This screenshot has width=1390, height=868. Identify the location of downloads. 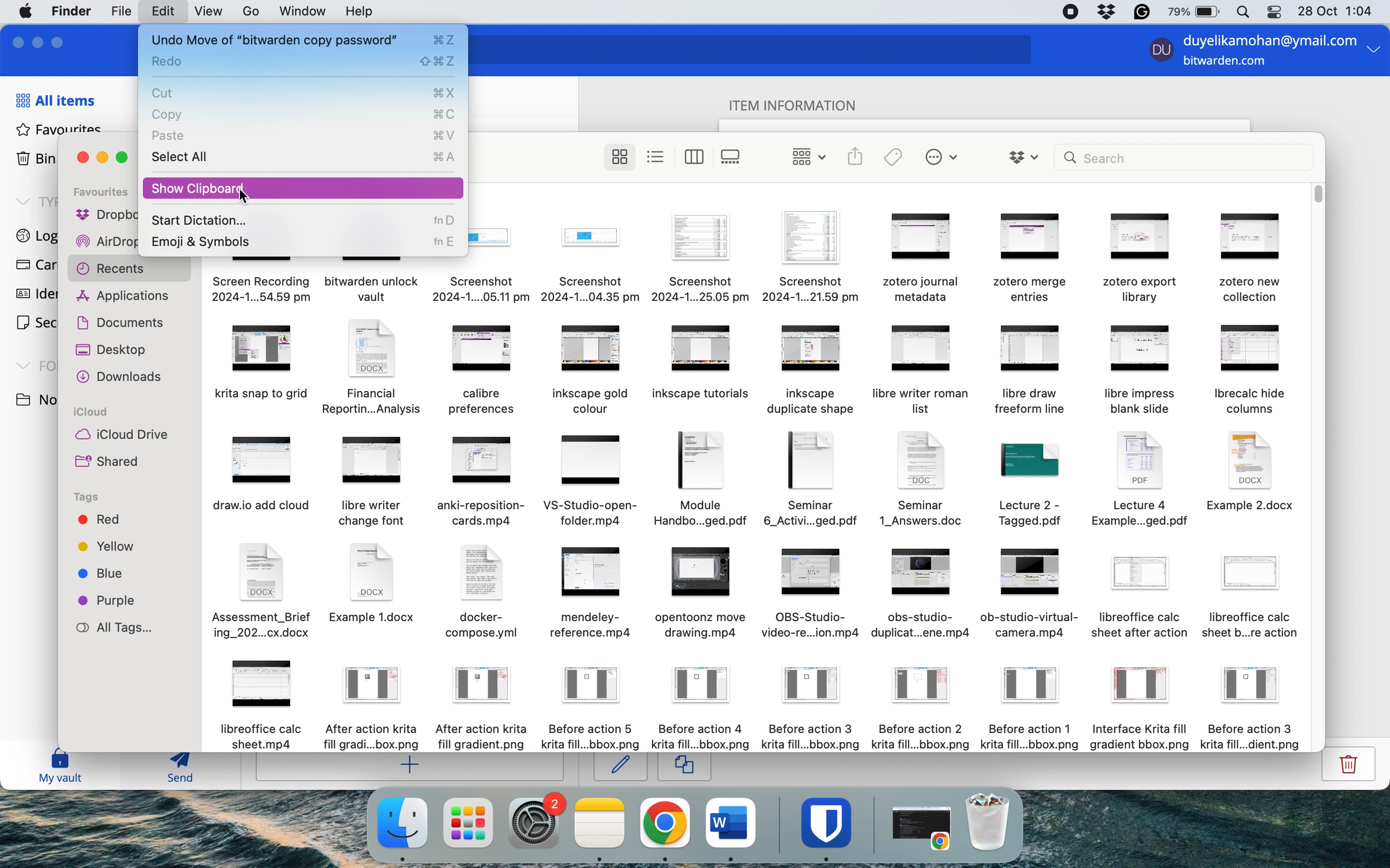
(123, 378).